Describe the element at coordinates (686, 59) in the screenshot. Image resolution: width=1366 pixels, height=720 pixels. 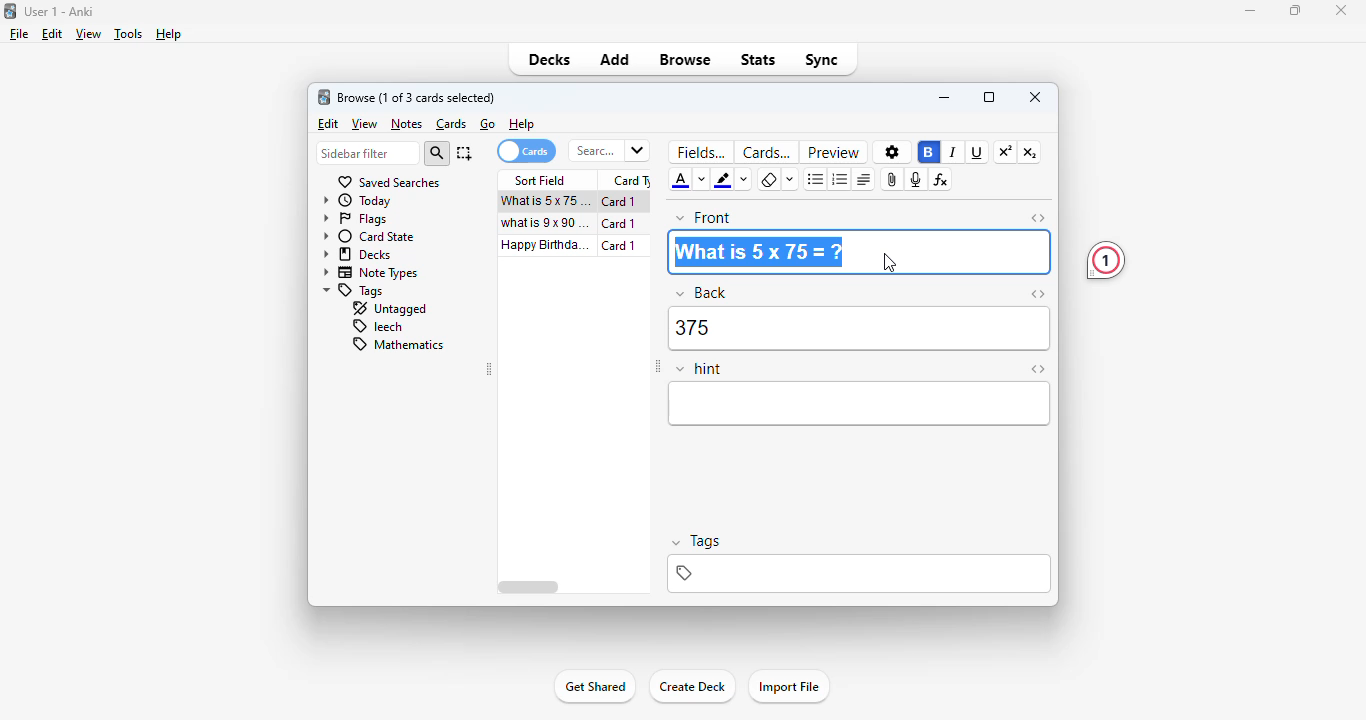
I see `browse` at that location.